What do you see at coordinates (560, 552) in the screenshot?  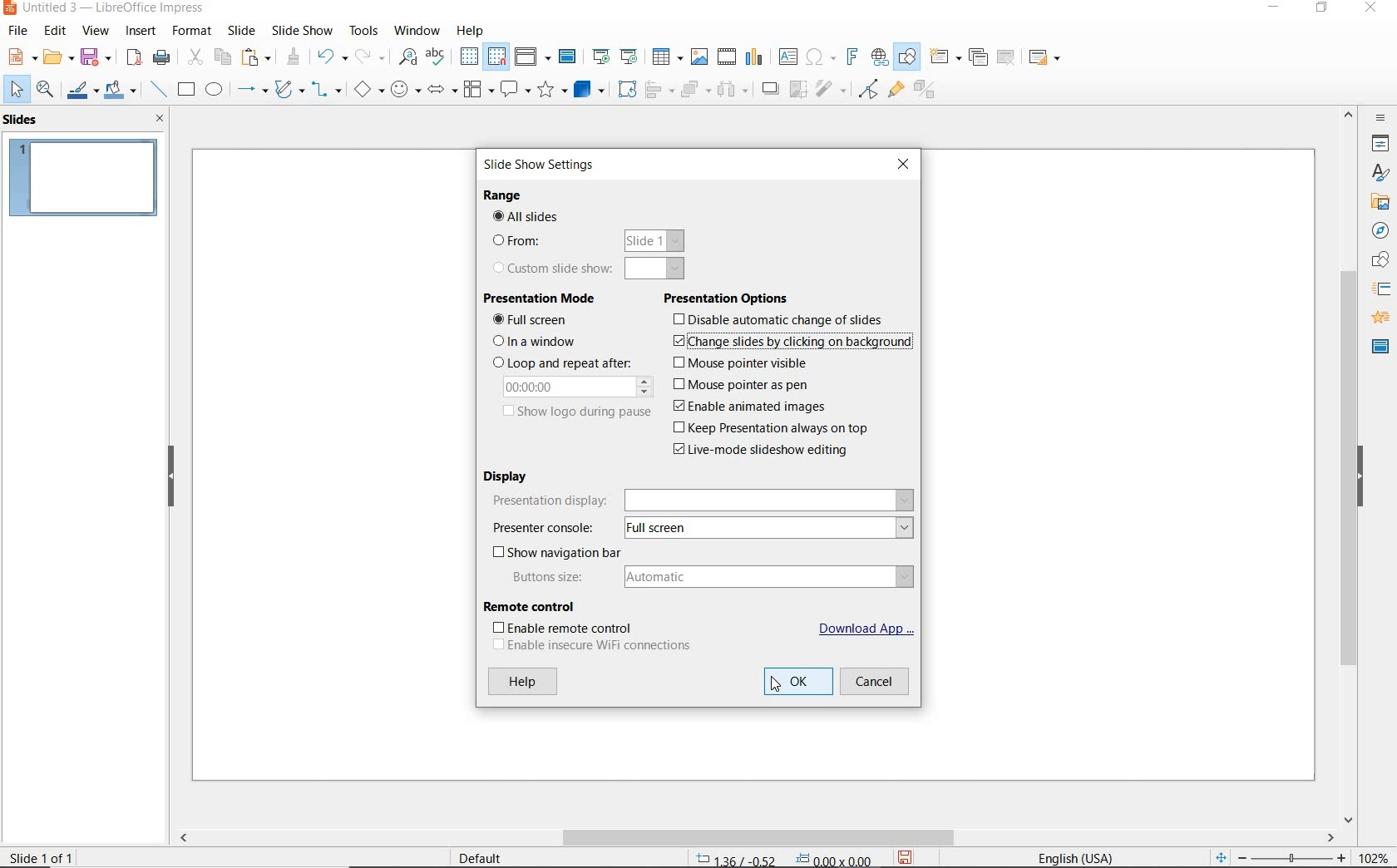 I see `SHOW NAVIGATION BAR` at bounding box center [560, 552].